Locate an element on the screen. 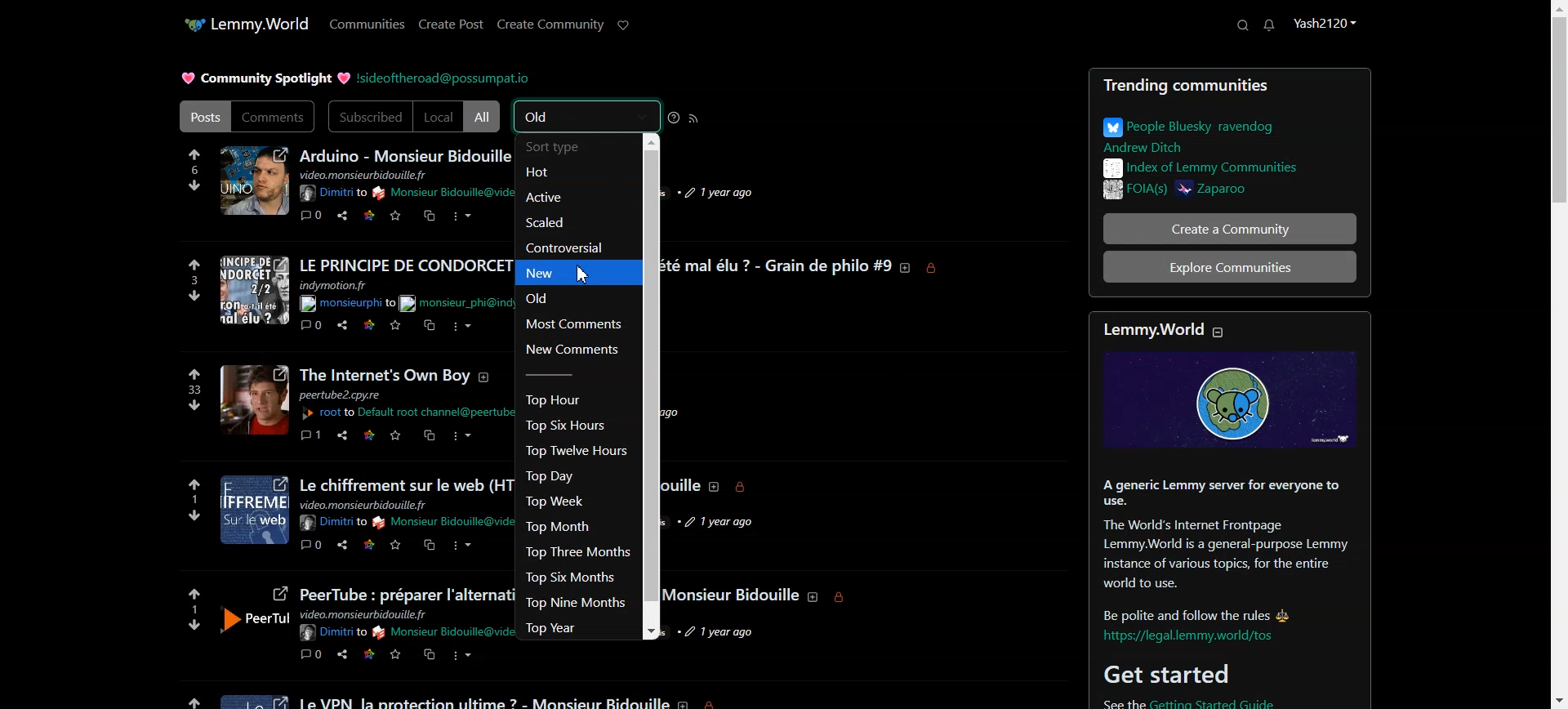 The width and height of the screenshot is (1568, 709). text is located at coordinates (403, 484).